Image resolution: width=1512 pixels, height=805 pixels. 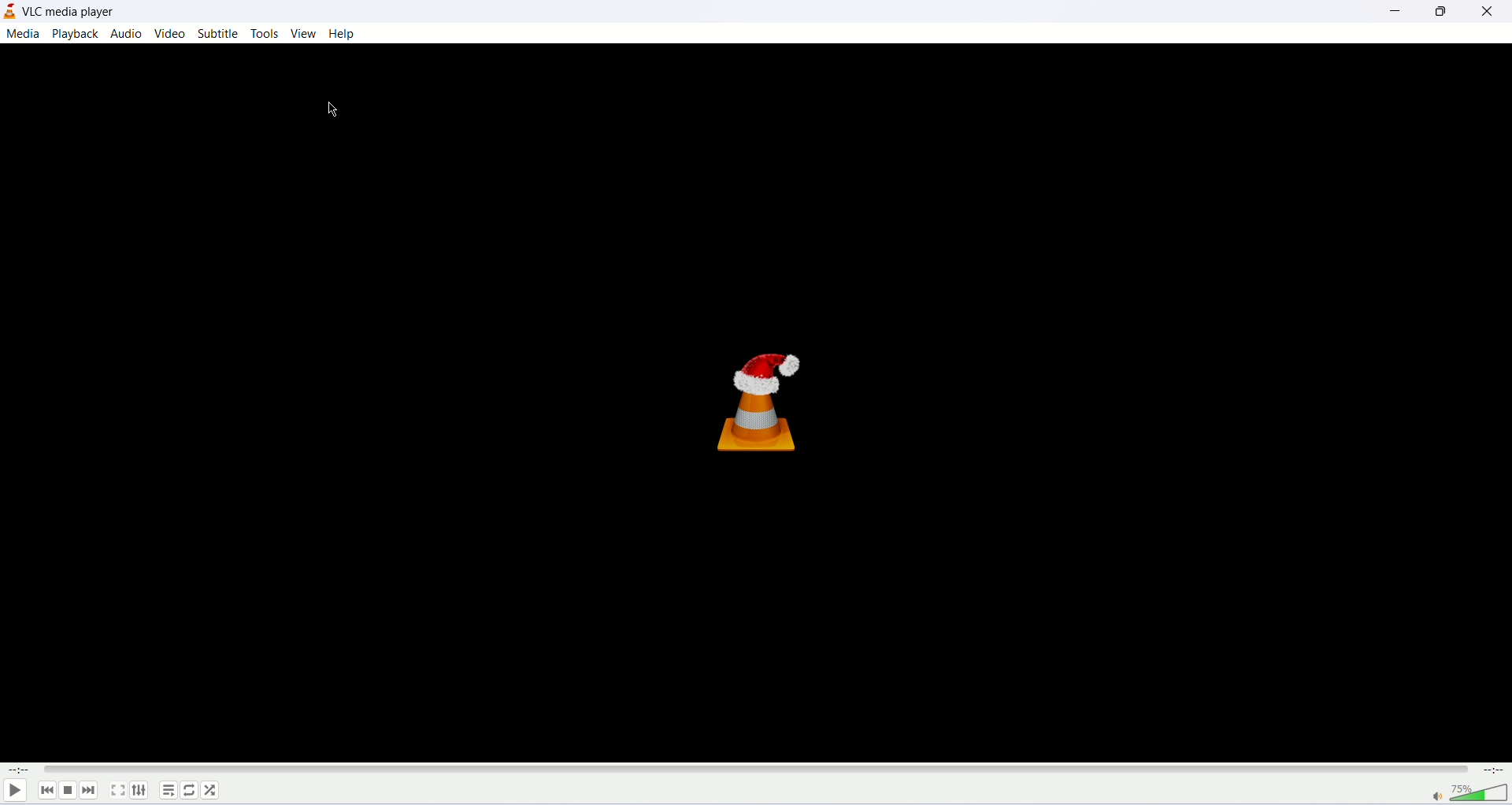 I want to click on media, so click(x=24, y=35).